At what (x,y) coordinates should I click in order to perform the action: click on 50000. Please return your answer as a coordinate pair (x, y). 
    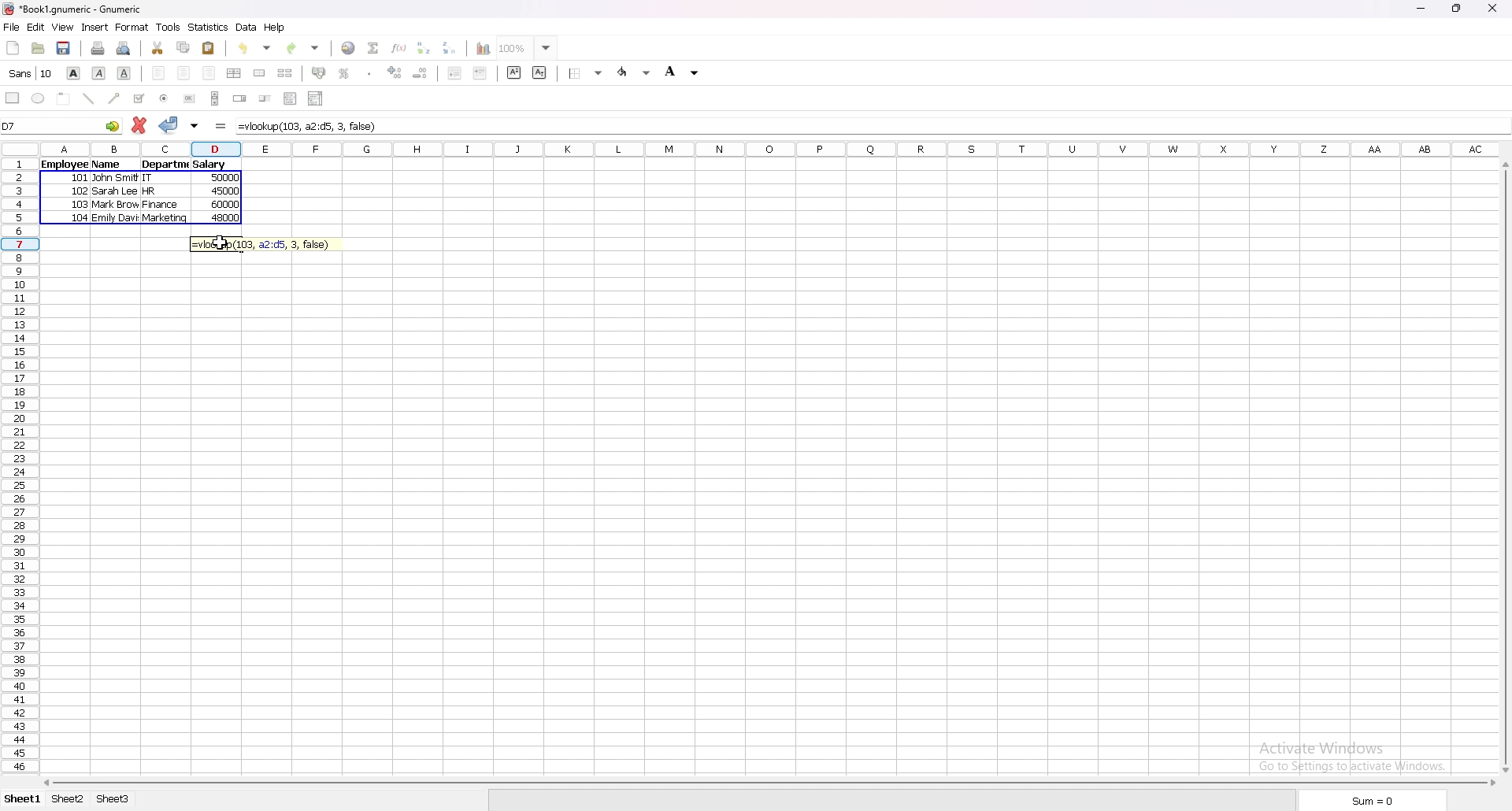
    Looking at the image, I should click on (228, 180).